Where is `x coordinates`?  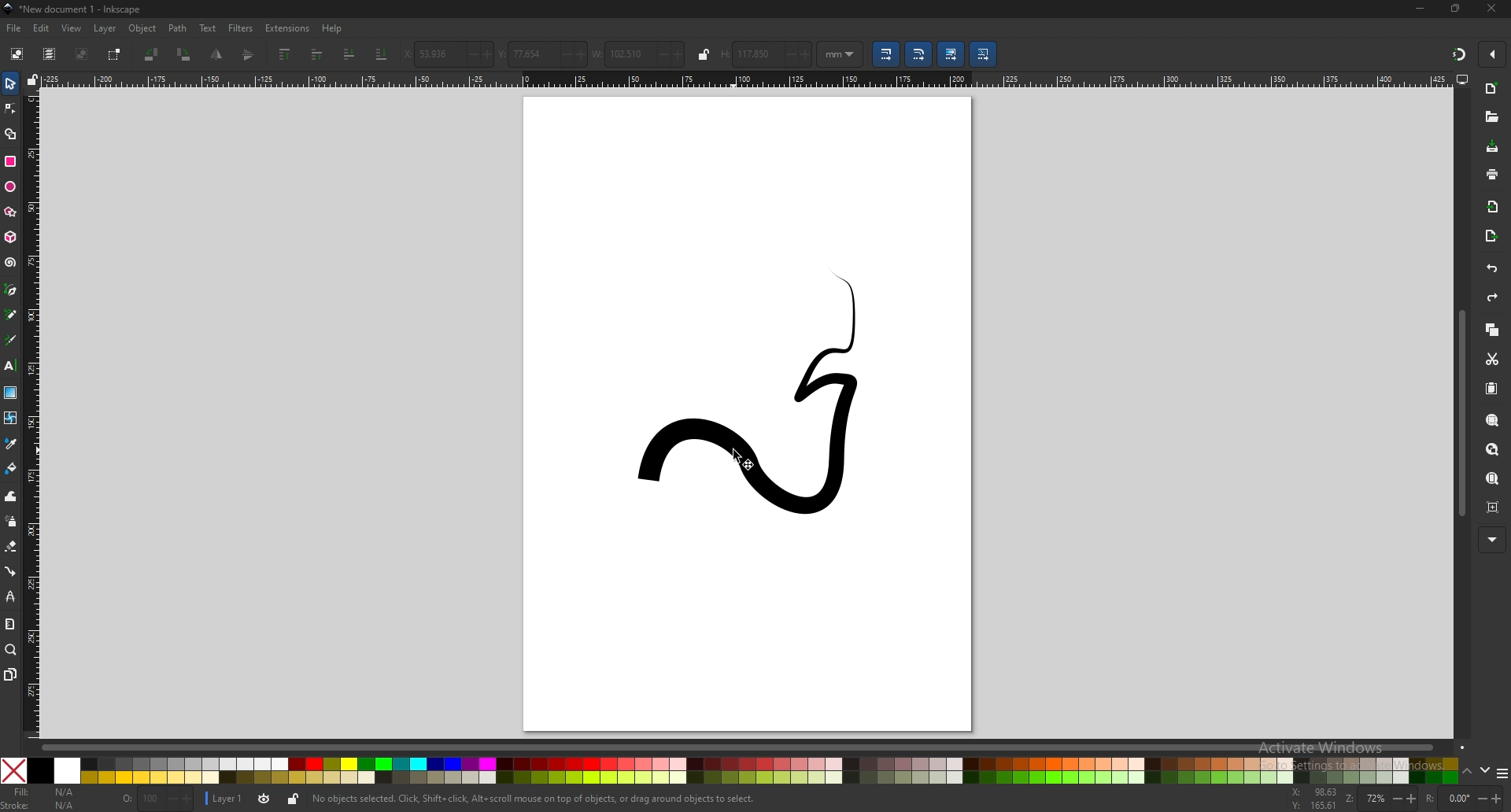
x coordinates is located at coordinates (448, 54).